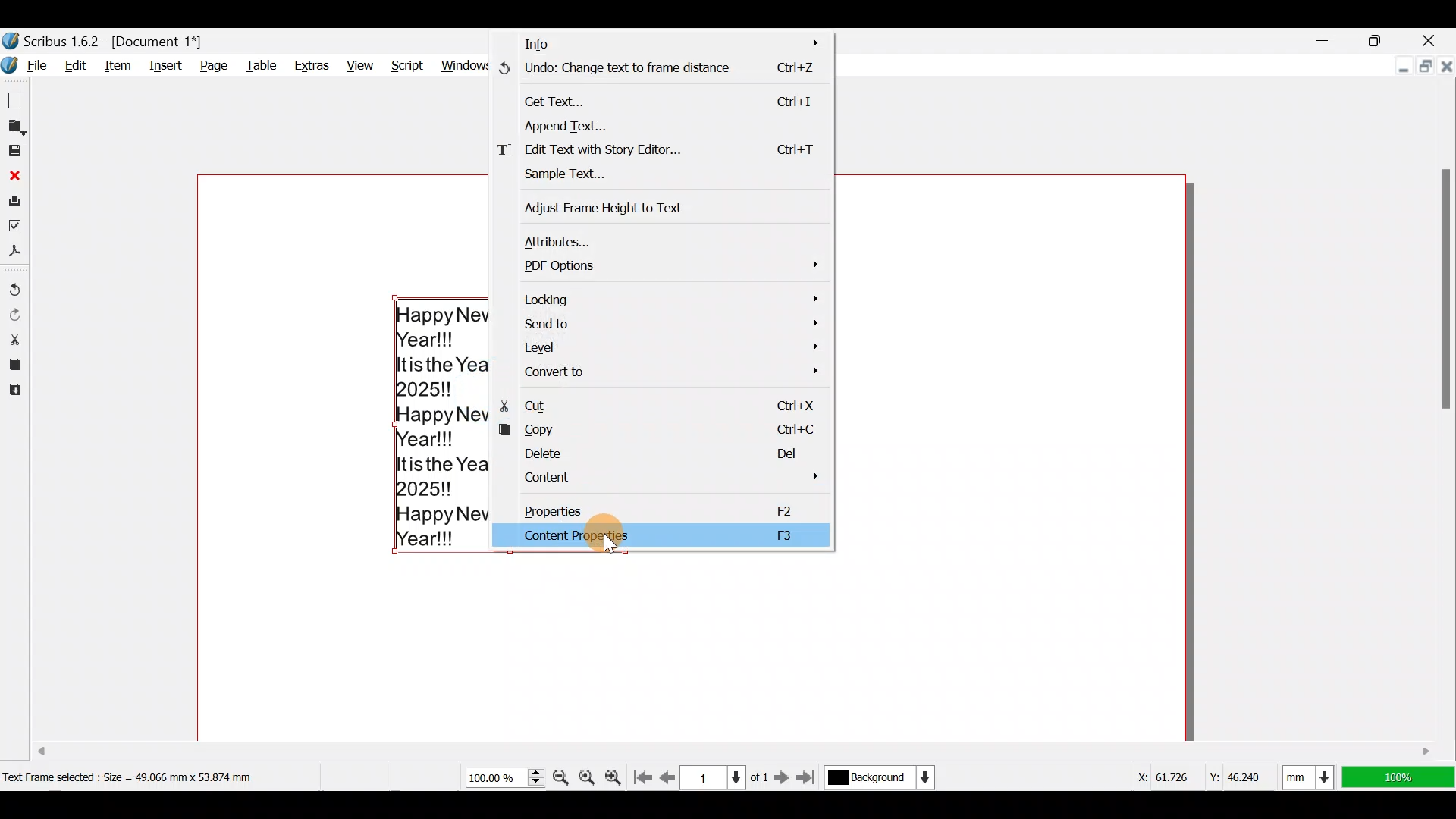 The width and height of the screenshot is (1456, 819). Describe the element at coordinates (13, 365) in the screenshot. I see `Copy` at that location.